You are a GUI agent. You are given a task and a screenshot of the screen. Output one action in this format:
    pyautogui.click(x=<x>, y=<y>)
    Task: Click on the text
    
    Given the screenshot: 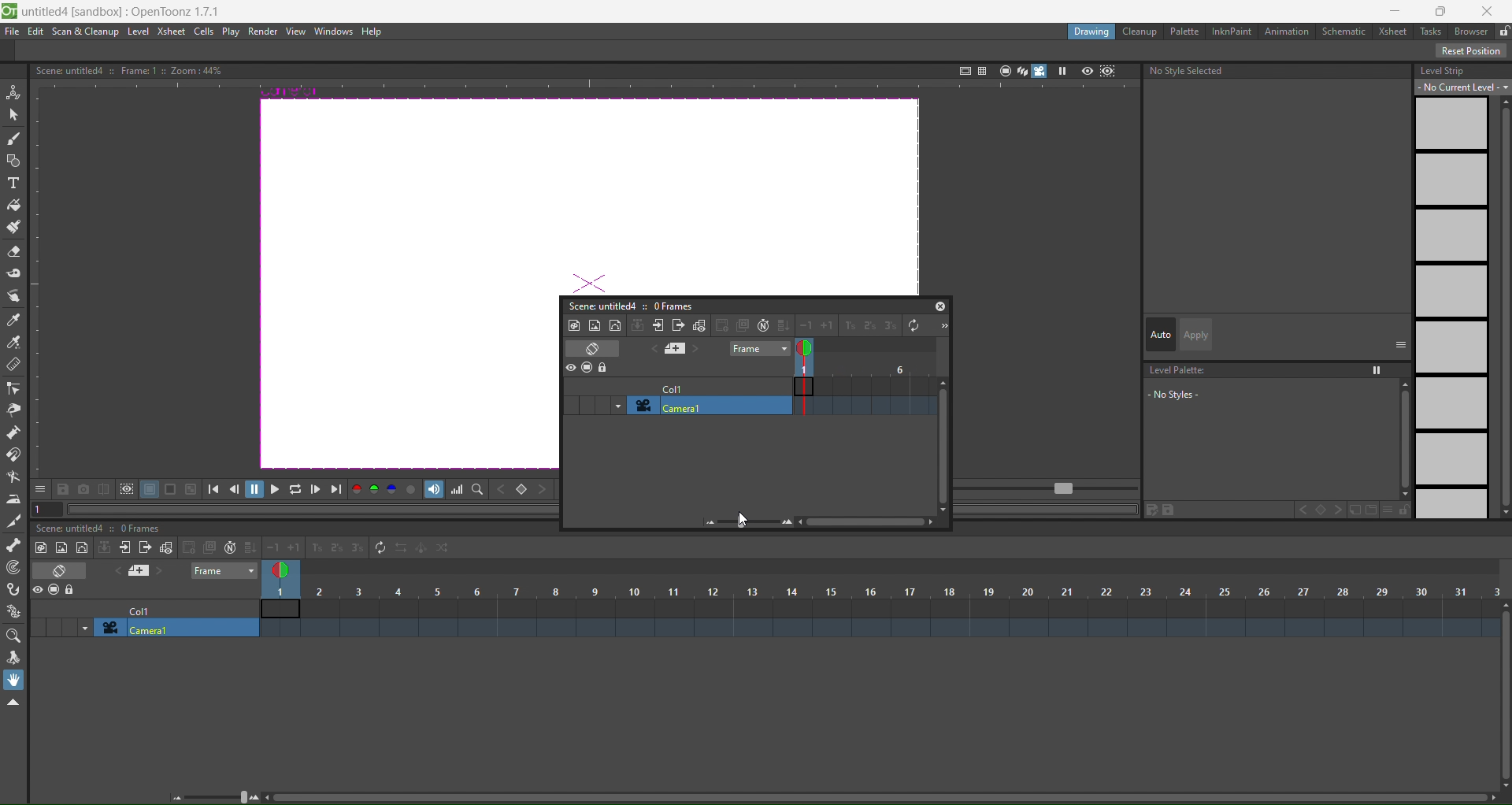 What is the action you would take?
    pyautogui.click(x=128, y=69)
    